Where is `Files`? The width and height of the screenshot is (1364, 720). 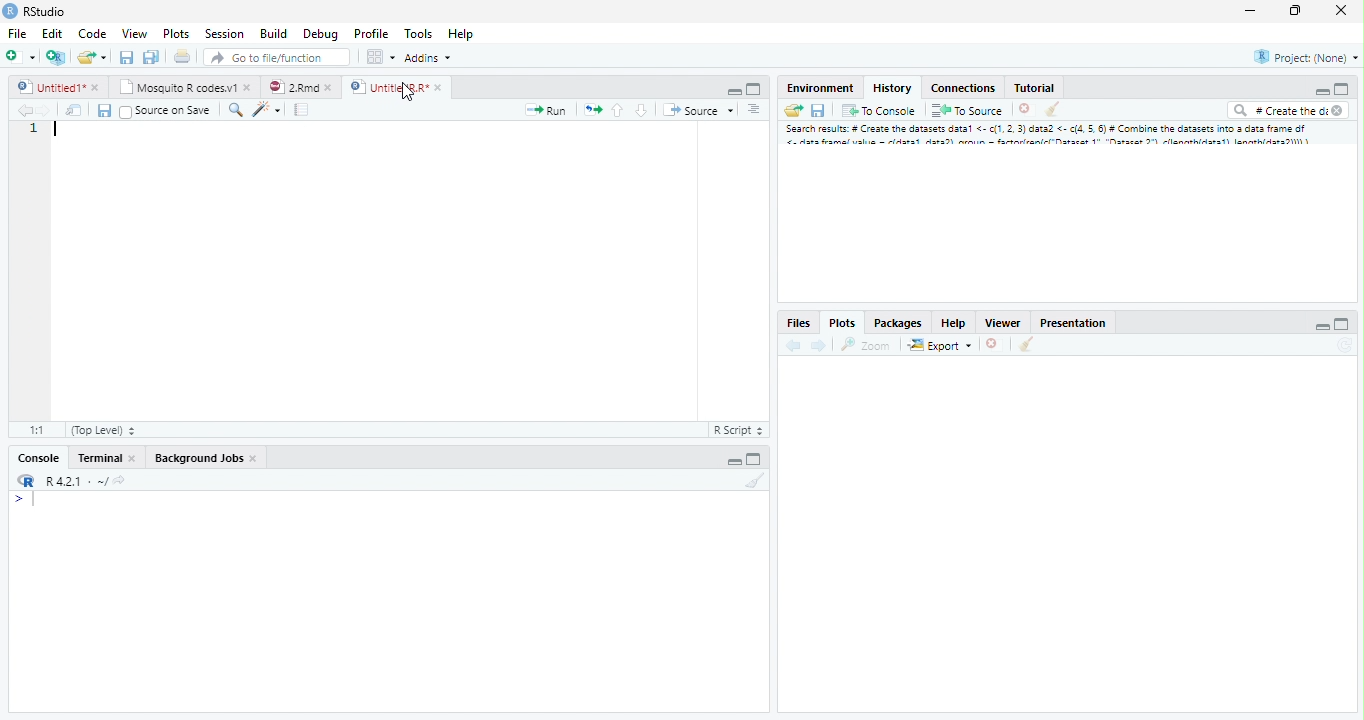
Files is located at coordinates (798, 321).